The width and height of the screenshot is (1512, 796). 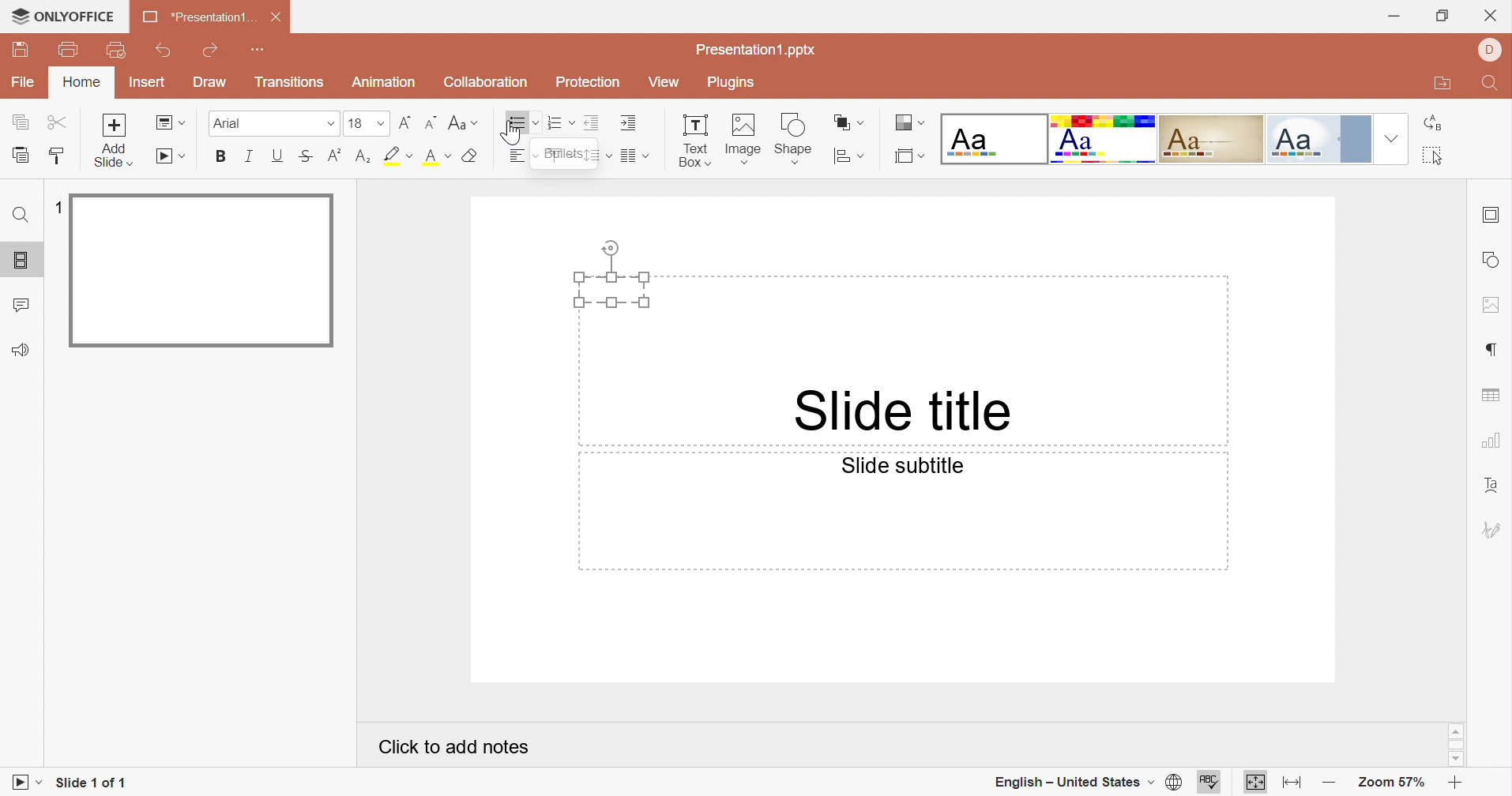 What do you see at coordinates (471, 157) in the screenshot?
I see `Clear` at bounding box center [471, 157].